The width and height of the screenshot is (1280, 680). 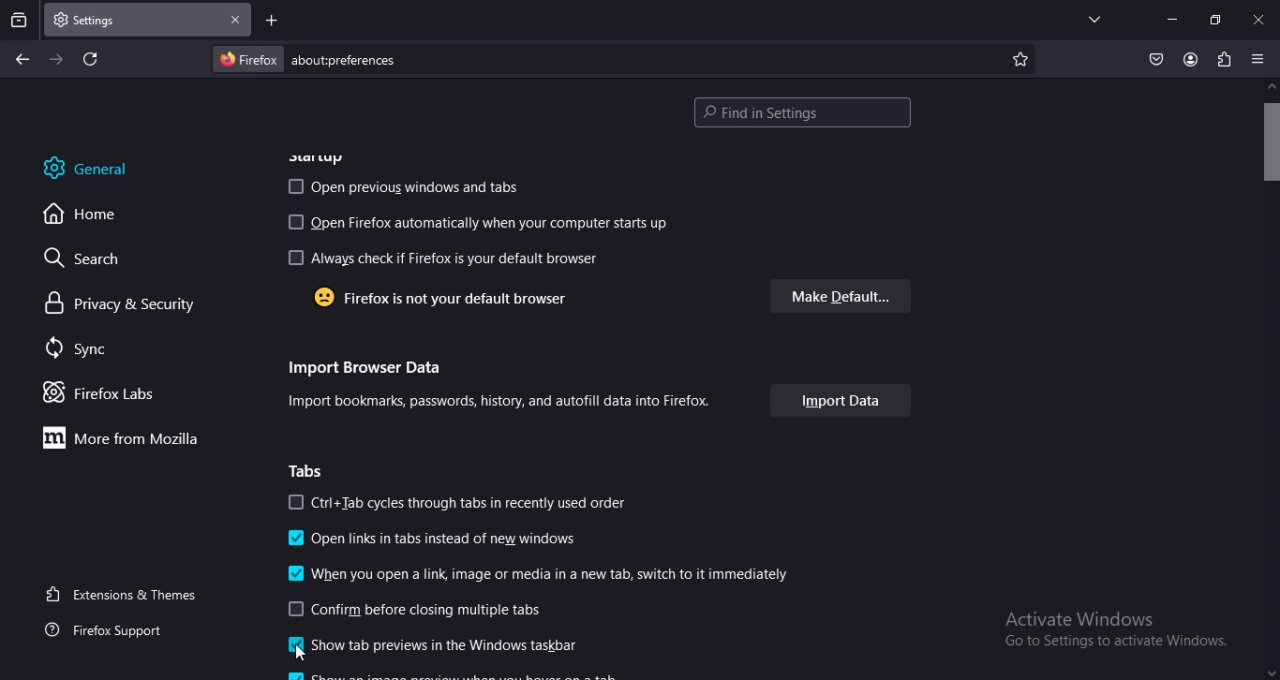 I want to click on home, so click(x=89, y=216).